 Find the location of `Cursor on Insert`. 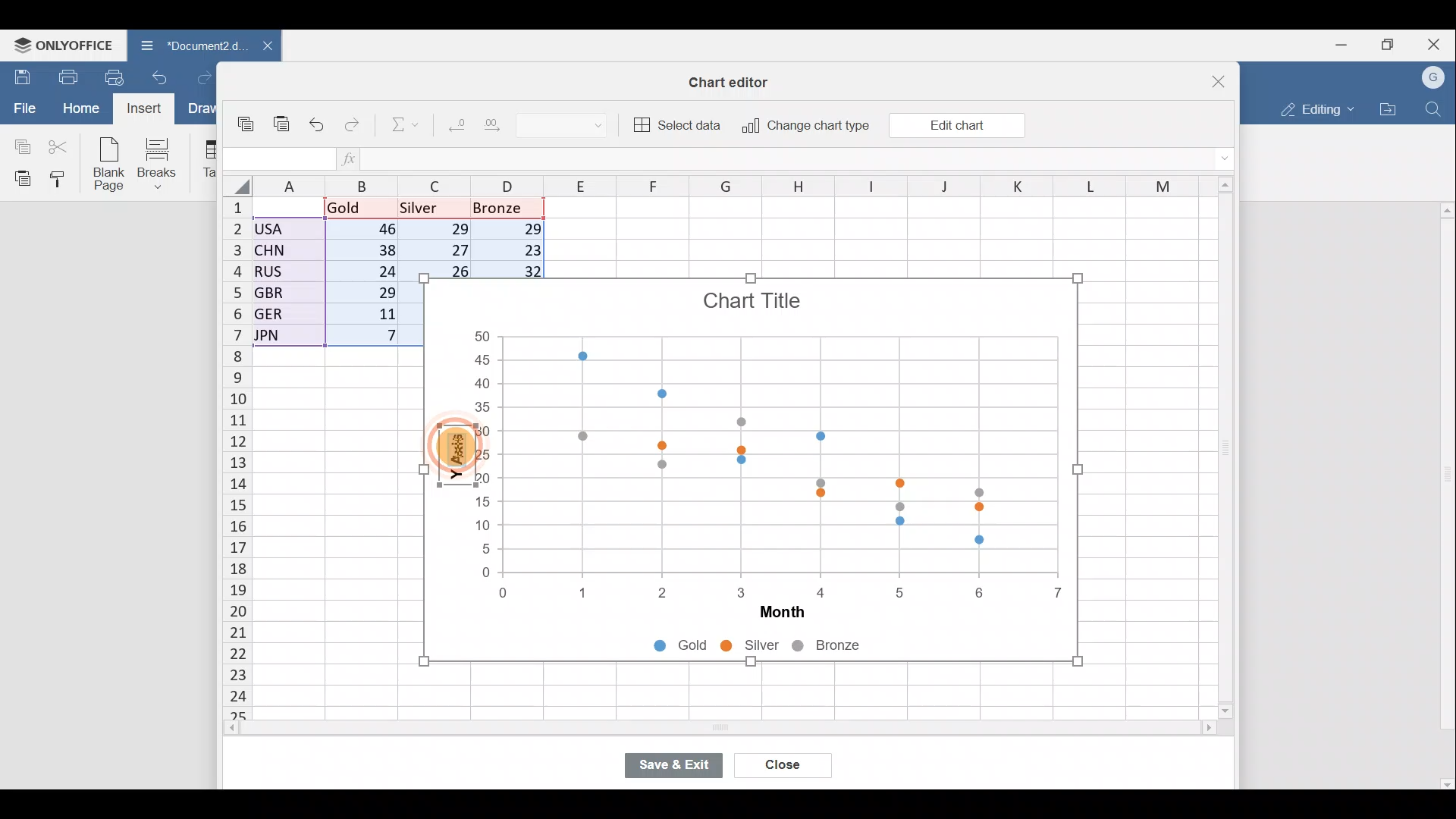

Cursor on Insert is located at coordinates (146, 110).